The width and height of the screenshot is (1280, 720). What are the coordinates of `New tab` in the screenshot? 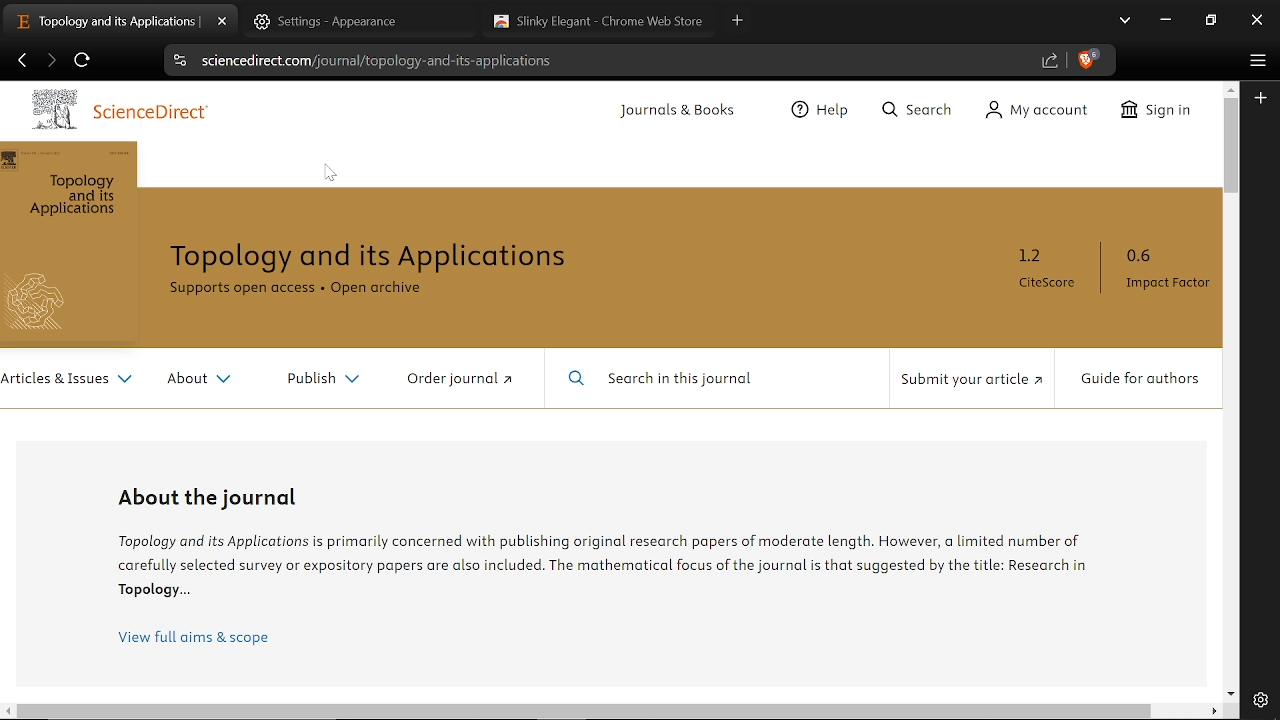 It's located at (741, 20).